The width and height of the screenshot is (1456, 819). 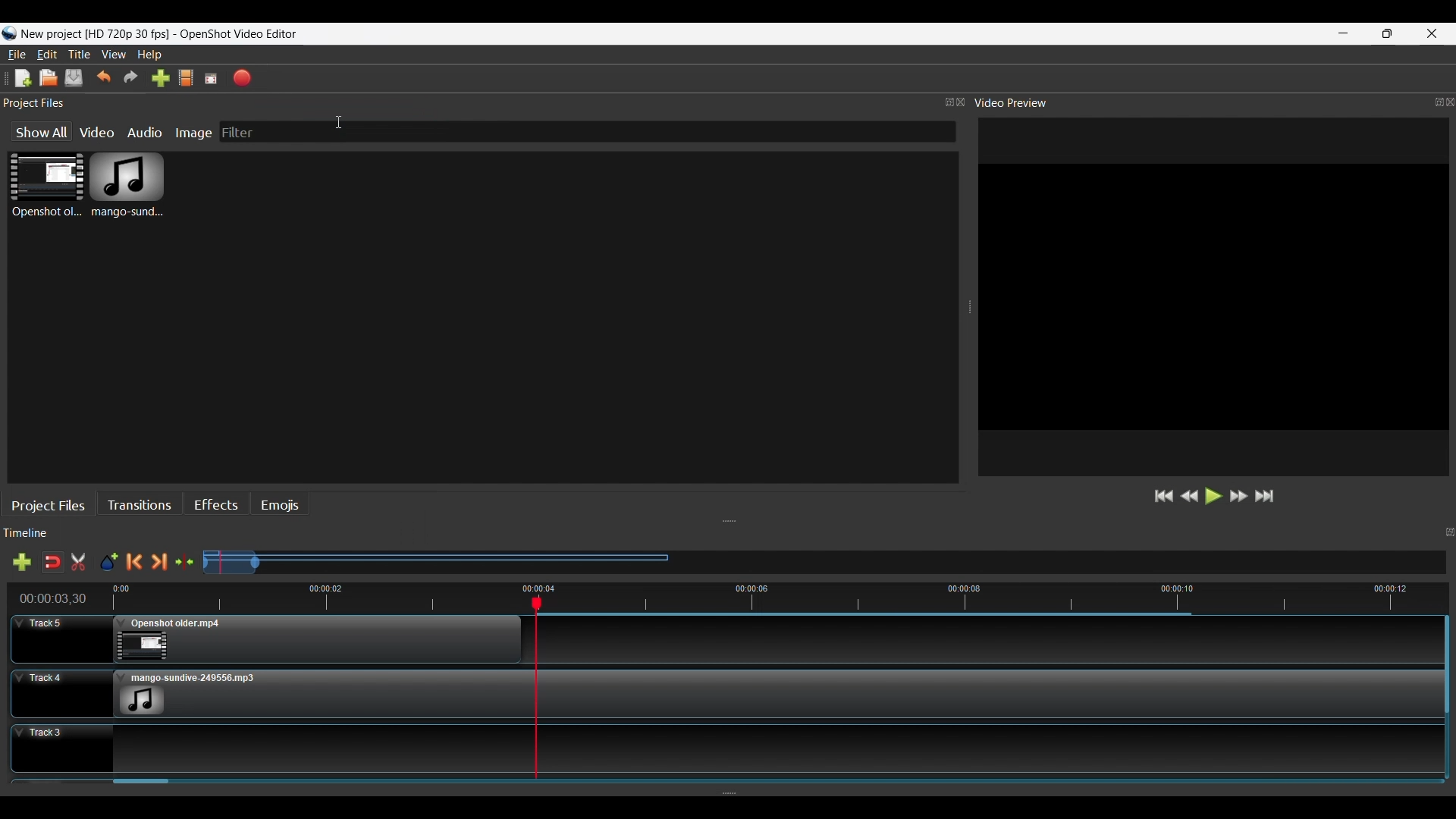 I want to click on Add Track, so click(x=24, y=564).